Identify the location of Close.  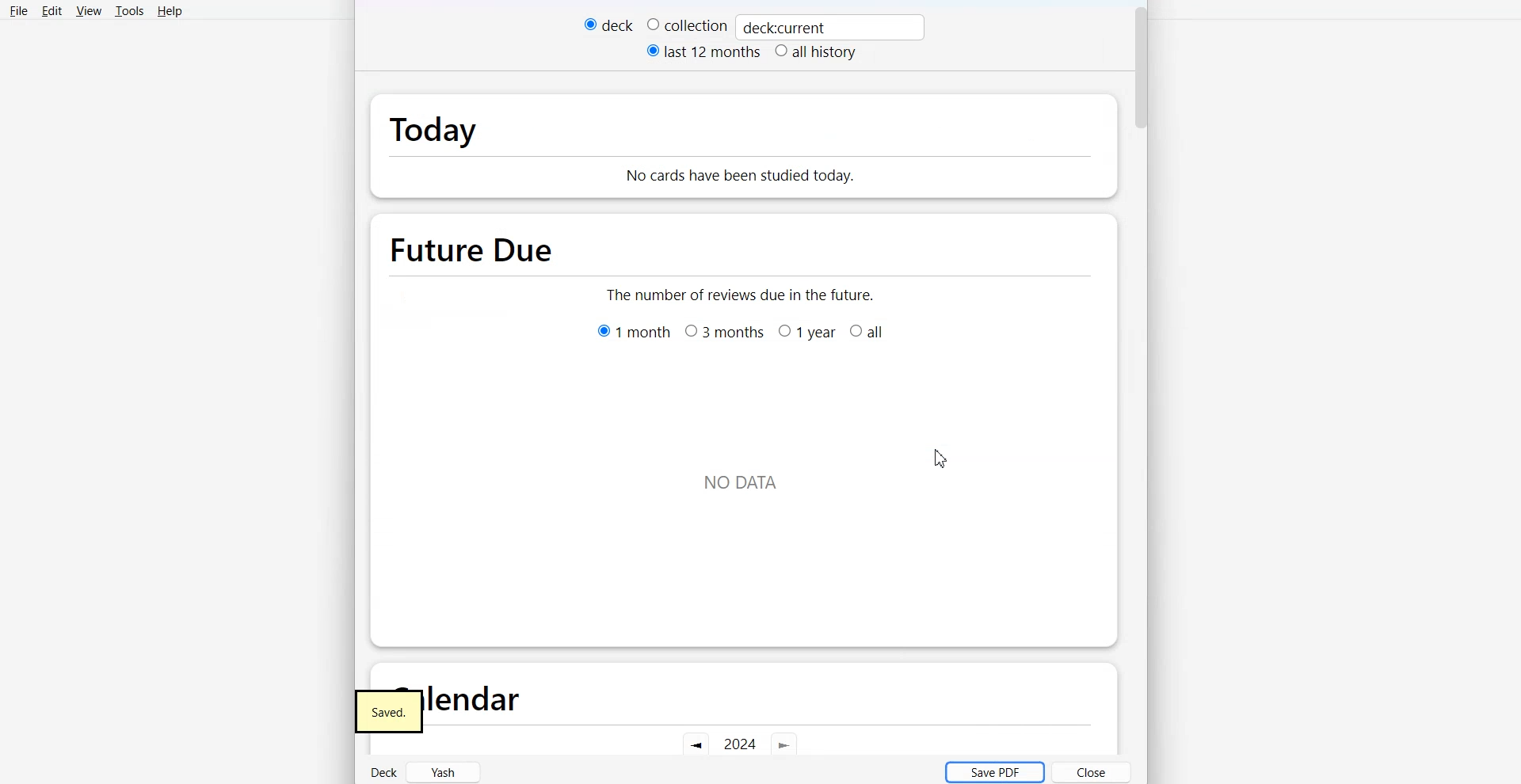
(1092, 772).